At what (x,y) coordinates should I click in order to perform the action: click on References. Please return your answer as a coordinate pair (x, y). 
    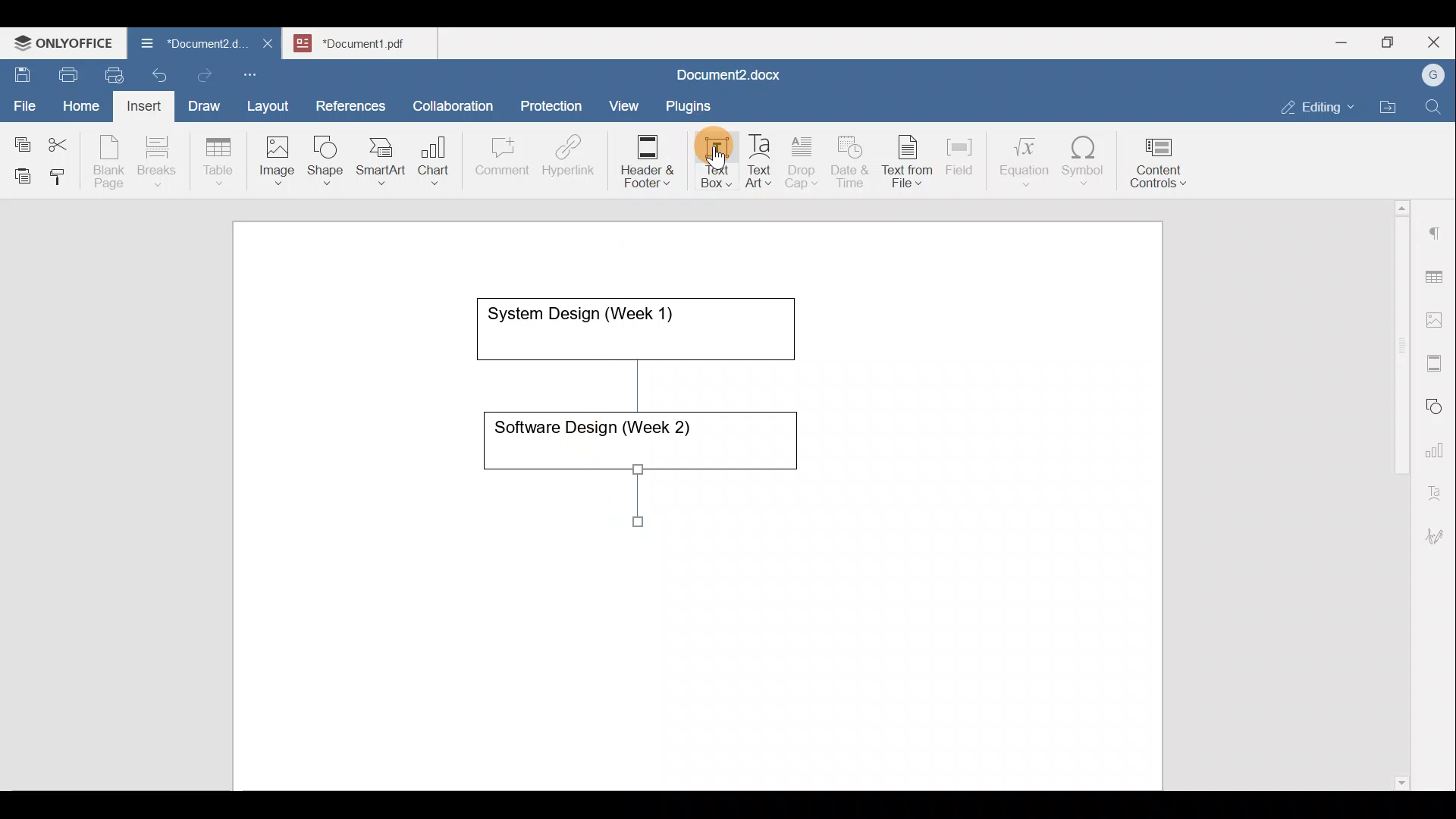
    Looking at the image, I should click on (350, 104).